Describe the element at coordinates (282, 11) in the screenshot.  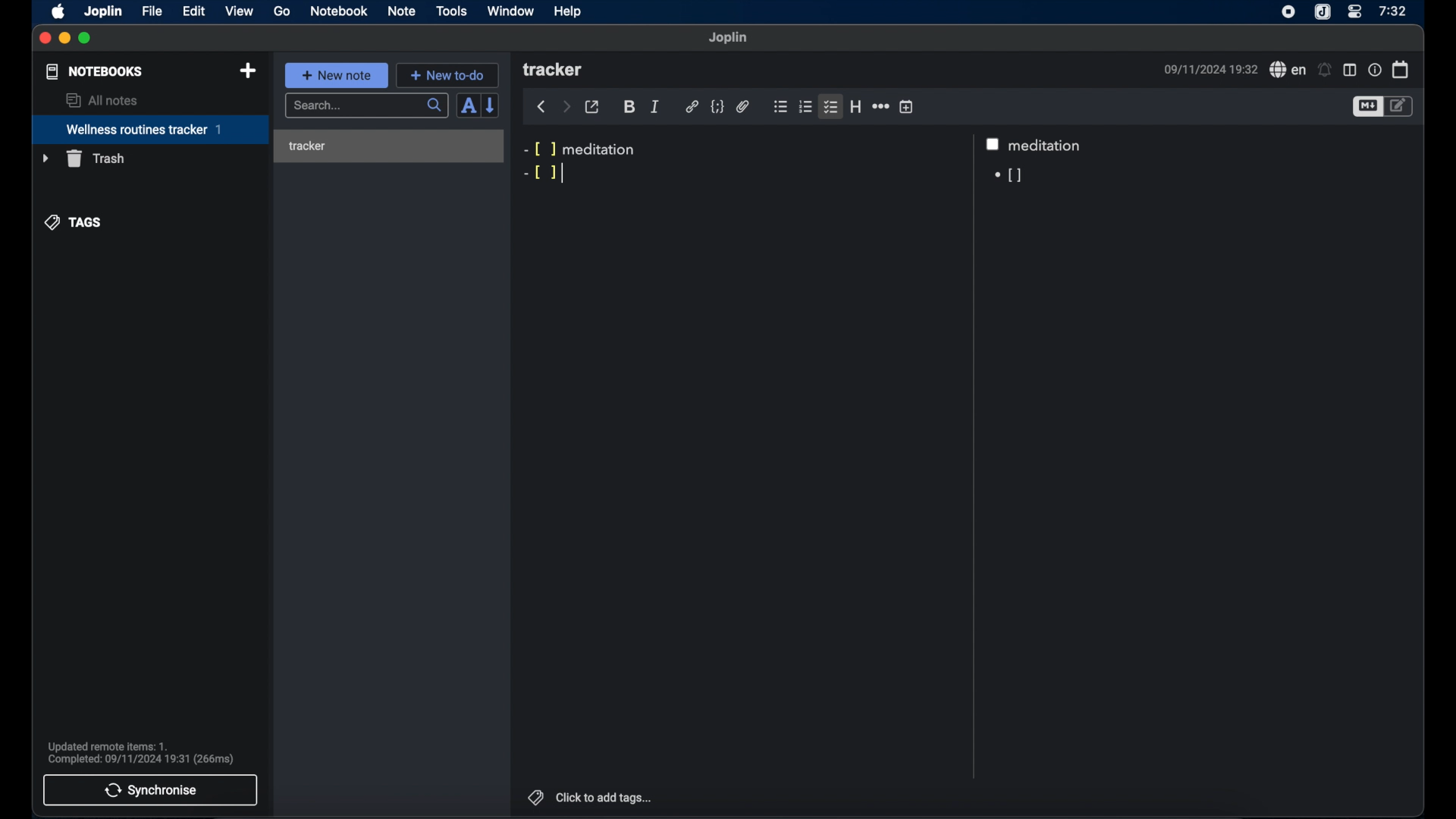
I see `go` at that location.